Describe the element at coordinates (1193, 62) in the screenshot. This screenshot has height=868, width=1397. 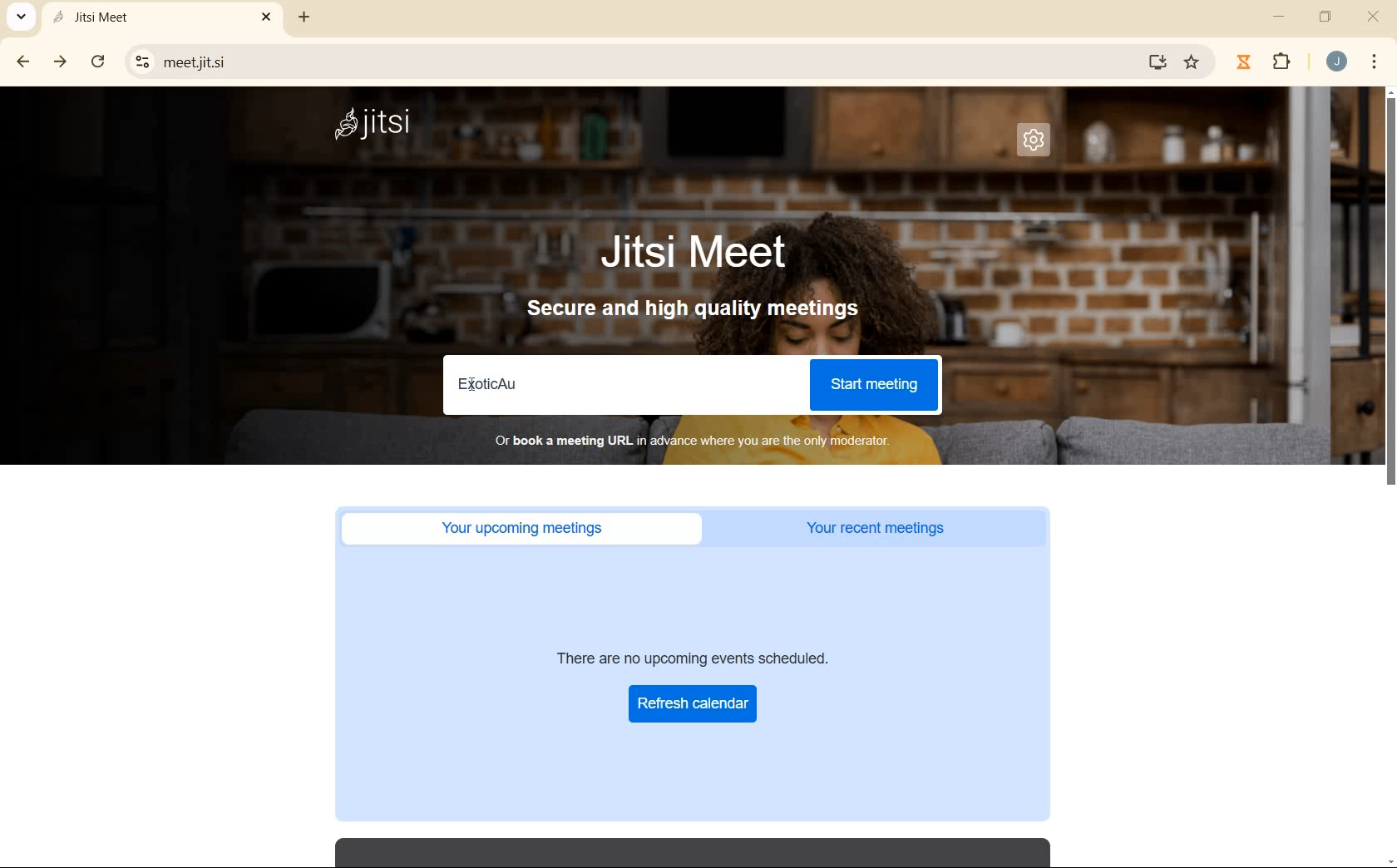
I see `bookmark` at that location.